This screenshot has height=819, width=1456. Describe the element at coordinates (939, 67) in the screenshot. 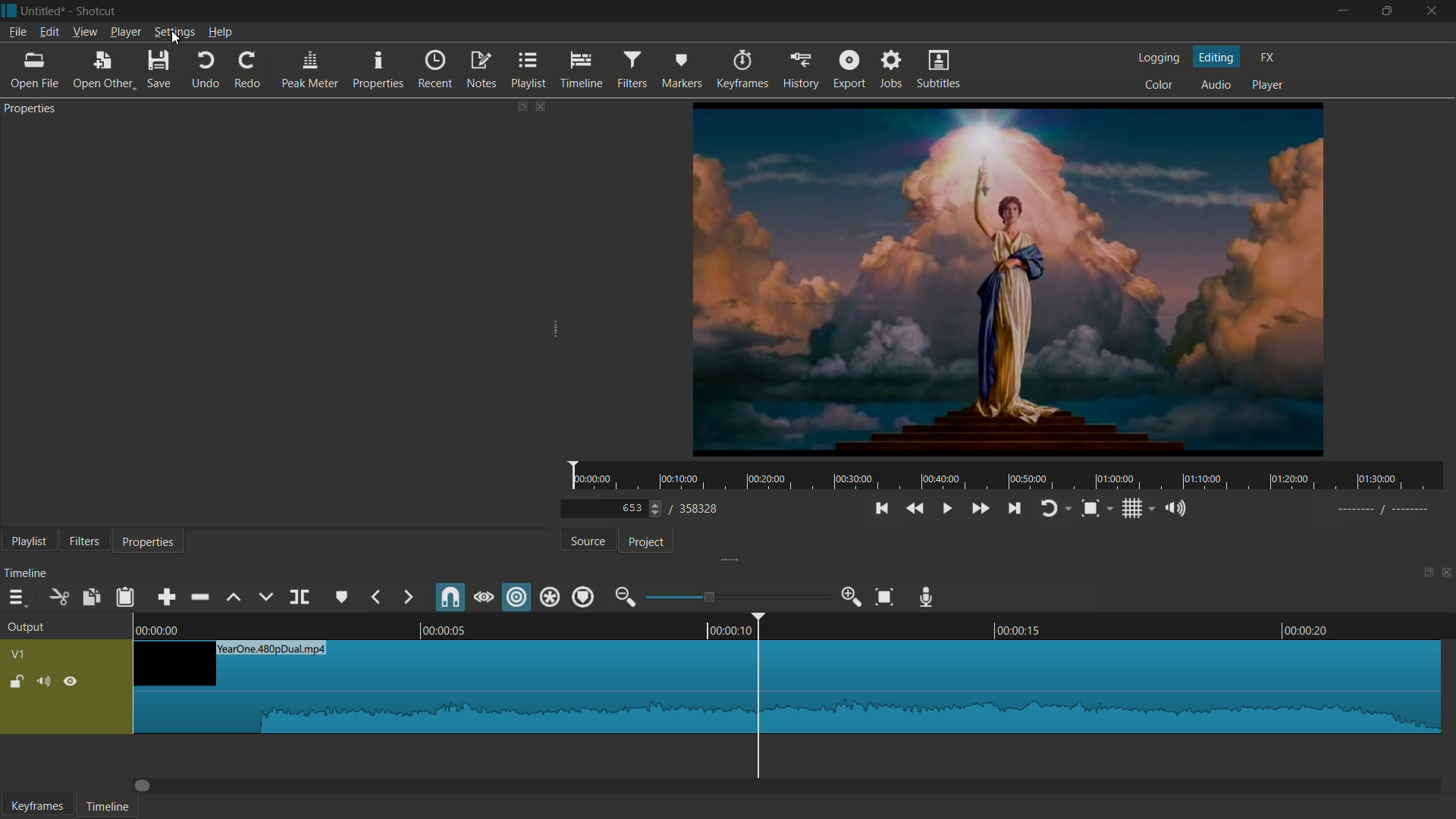

I see `subtitles` at that location.